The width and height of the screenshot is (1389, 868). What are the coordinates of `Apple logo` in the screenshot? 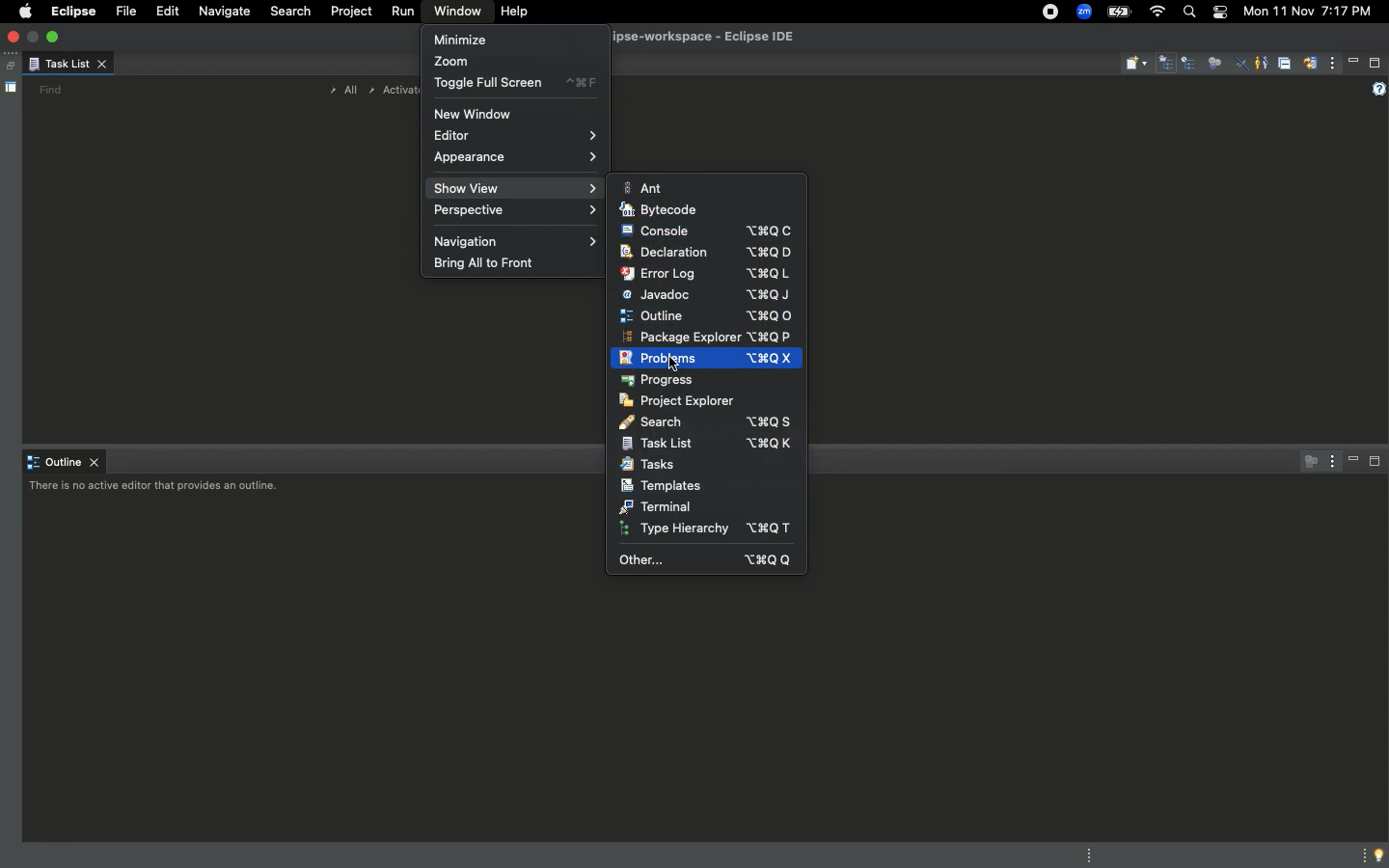 It's located at (24, 11).